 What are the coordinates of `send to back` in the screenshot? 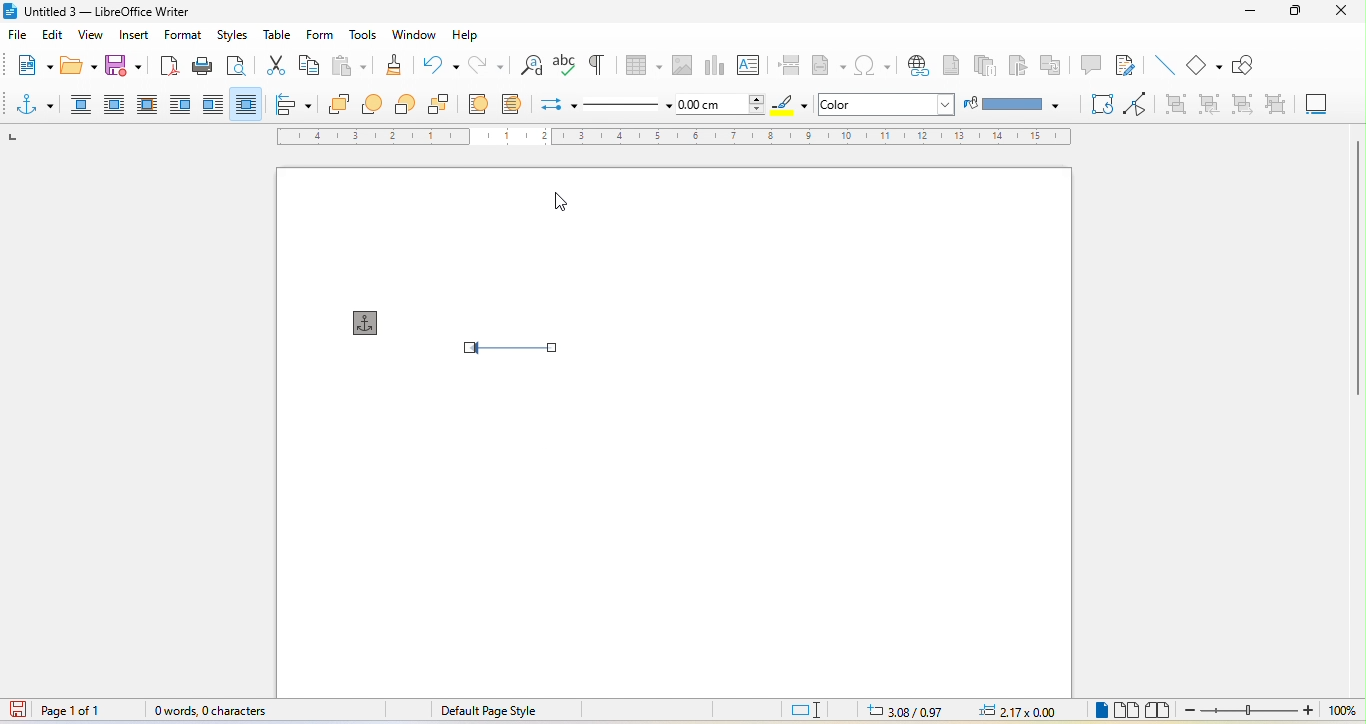 It's located at (443, 107).